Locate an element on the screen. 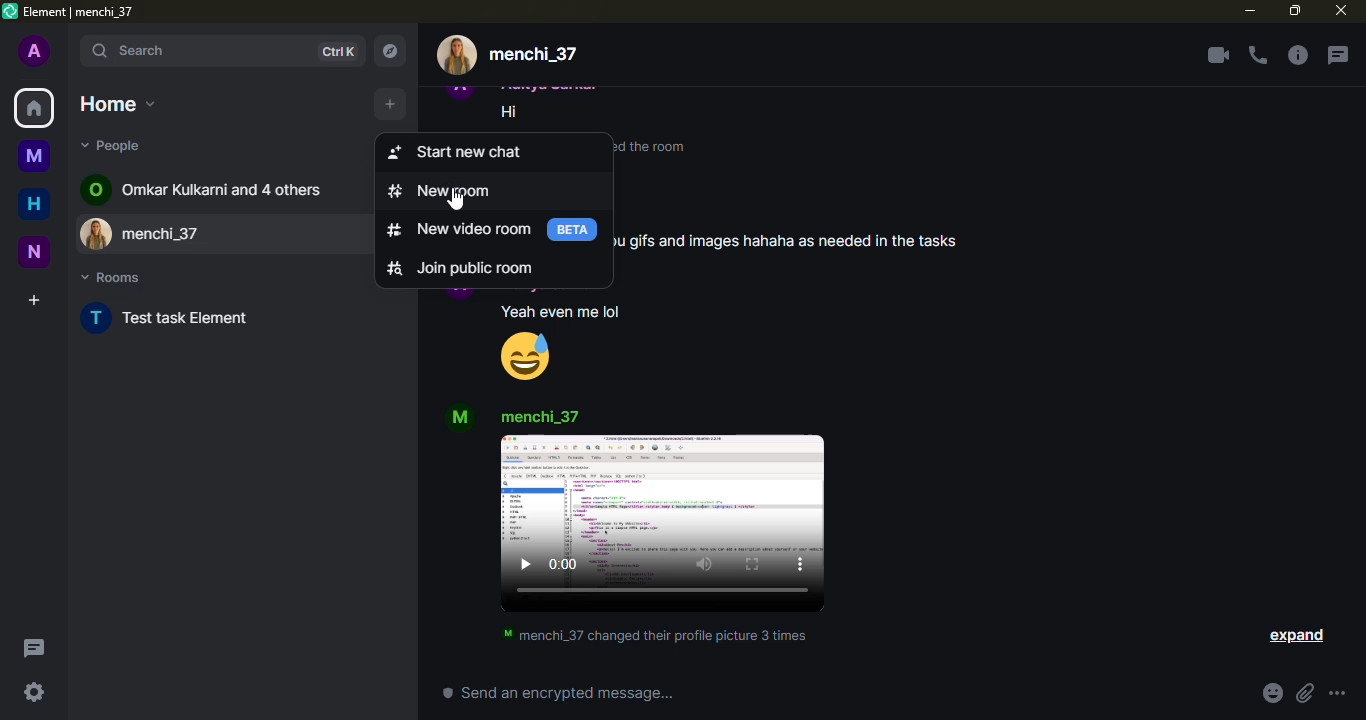  cursor is located at coordinates (455, 199).